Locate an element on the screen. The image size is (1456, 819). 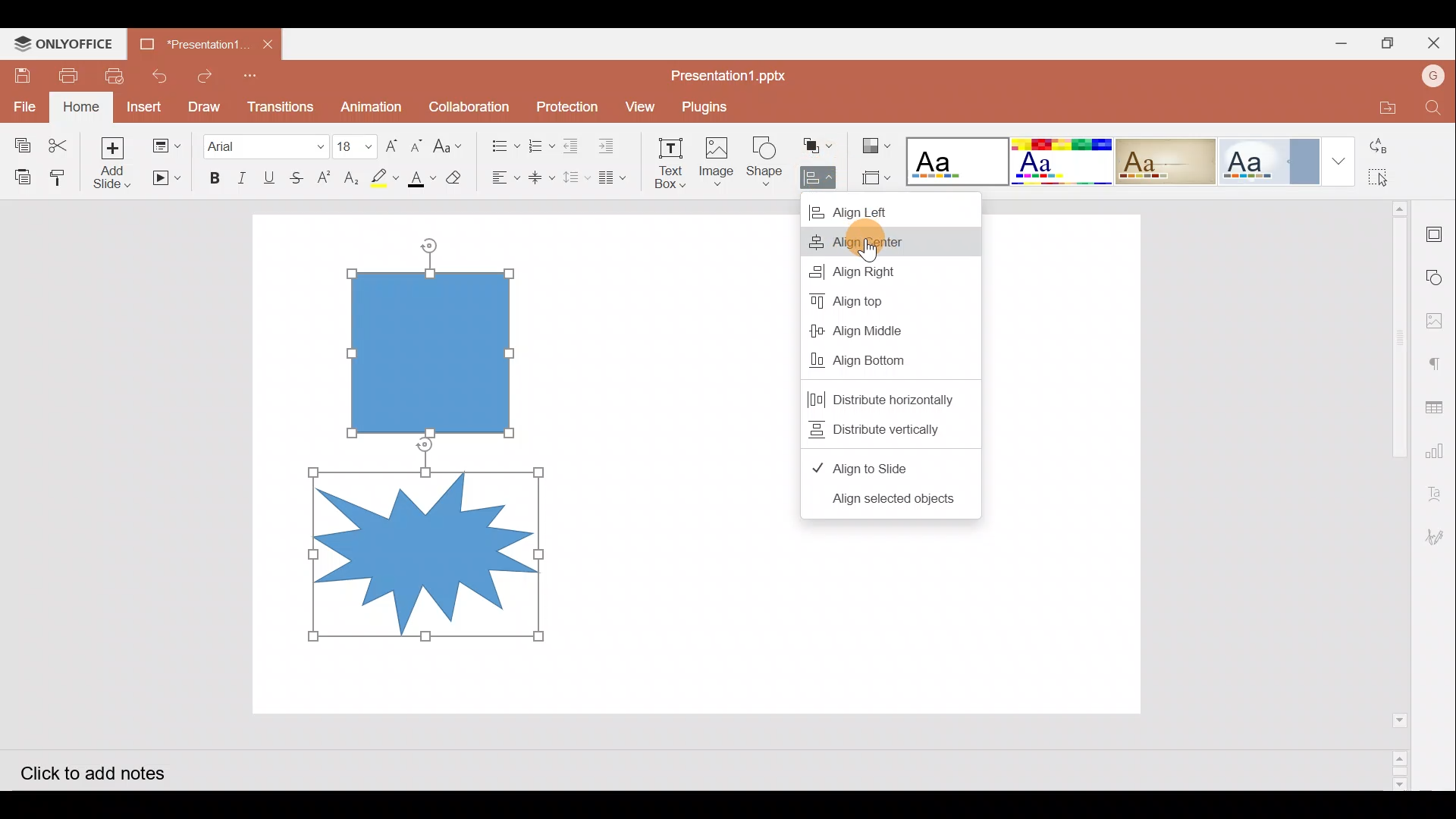
Account name is located at coordinates (1433, 78).